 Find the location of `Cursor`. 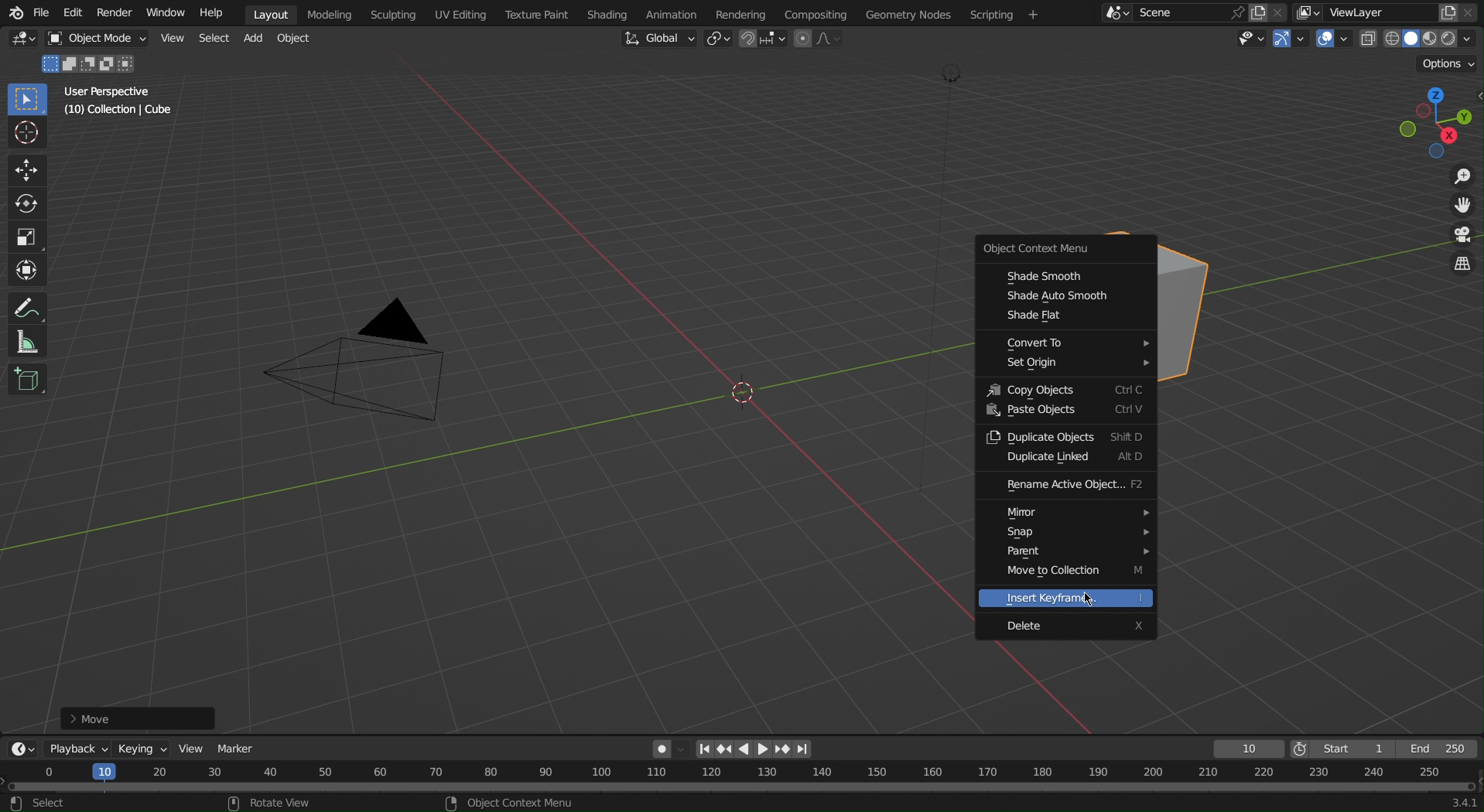

Cursor is located at coordinates (1091, 600).